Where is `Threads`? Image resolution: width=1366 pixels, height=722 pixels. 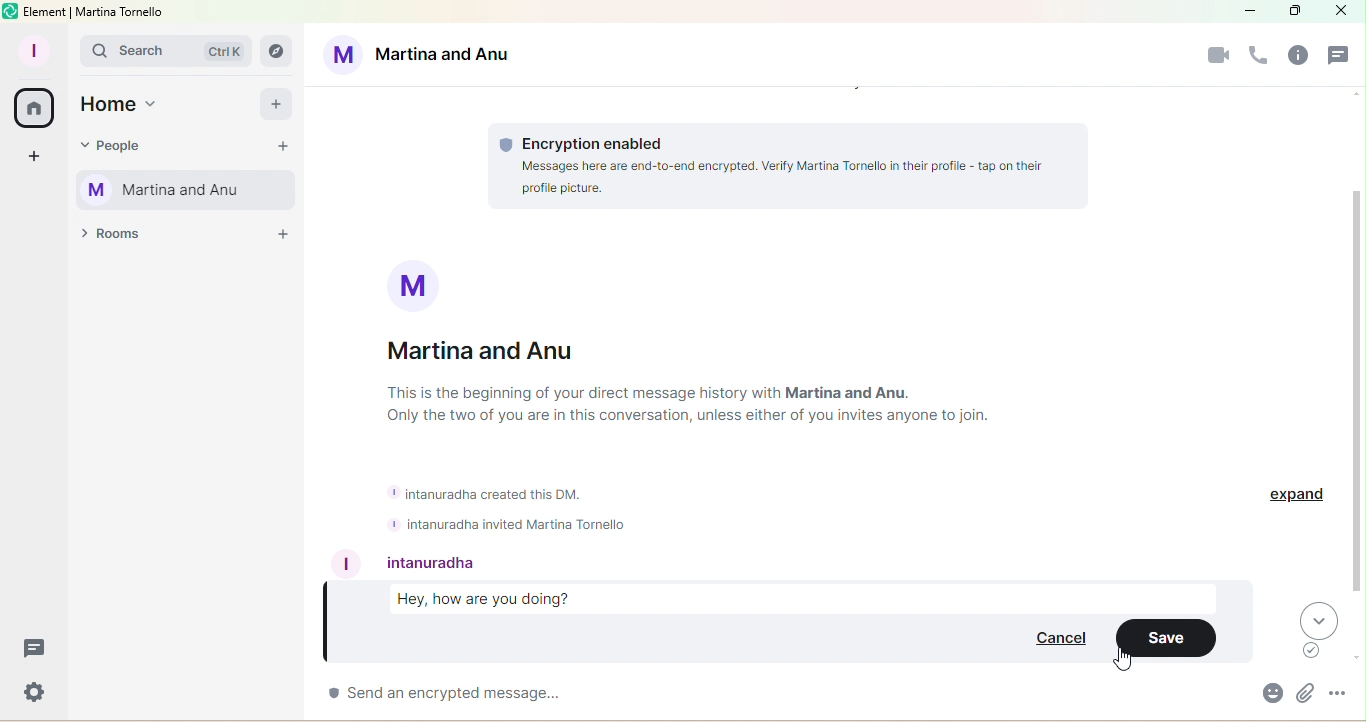
Threads is located at coordinates (1340, 57).